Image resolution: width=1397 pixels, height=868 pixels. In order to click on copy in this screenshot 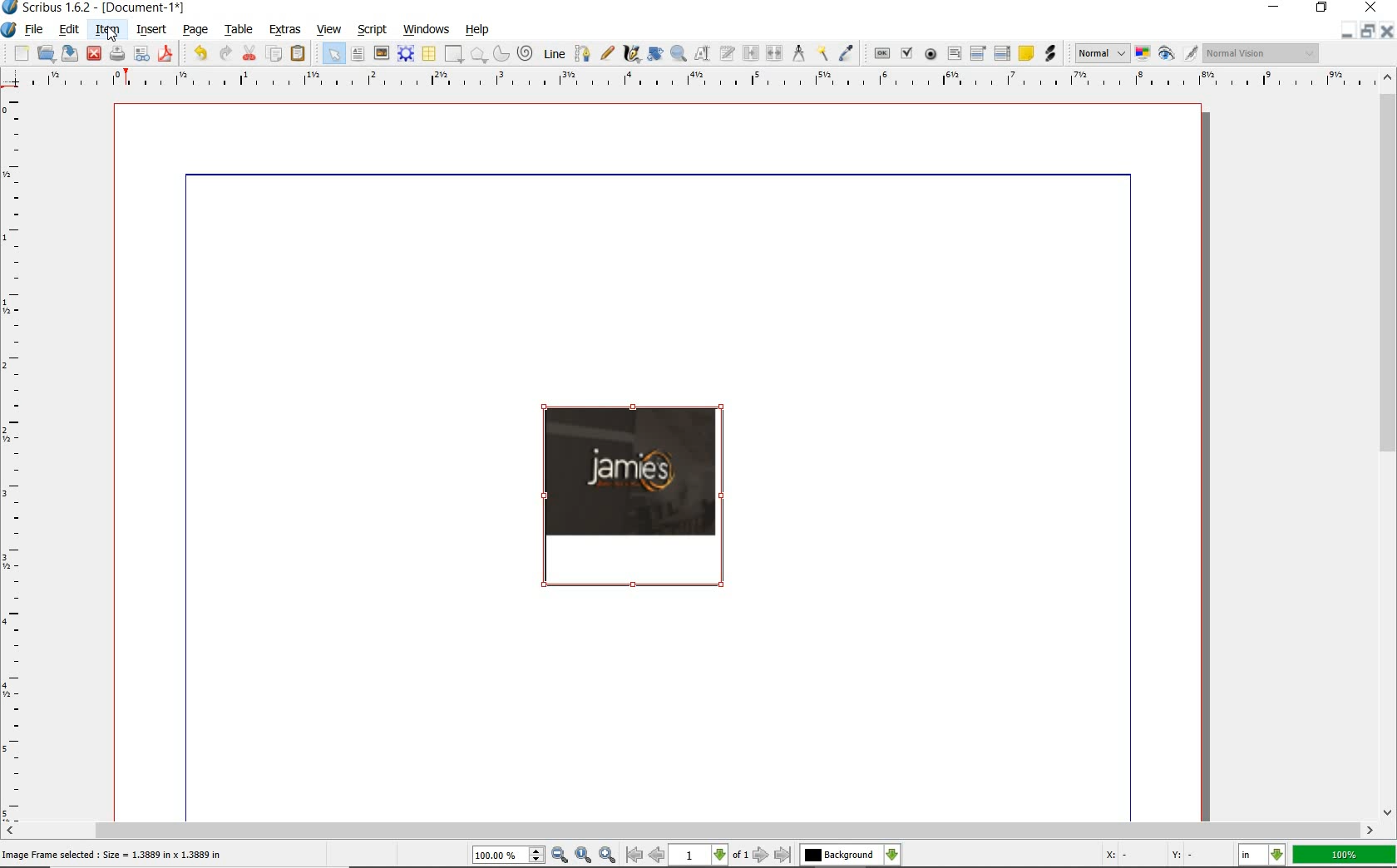, I will do `click(277, 55)`.